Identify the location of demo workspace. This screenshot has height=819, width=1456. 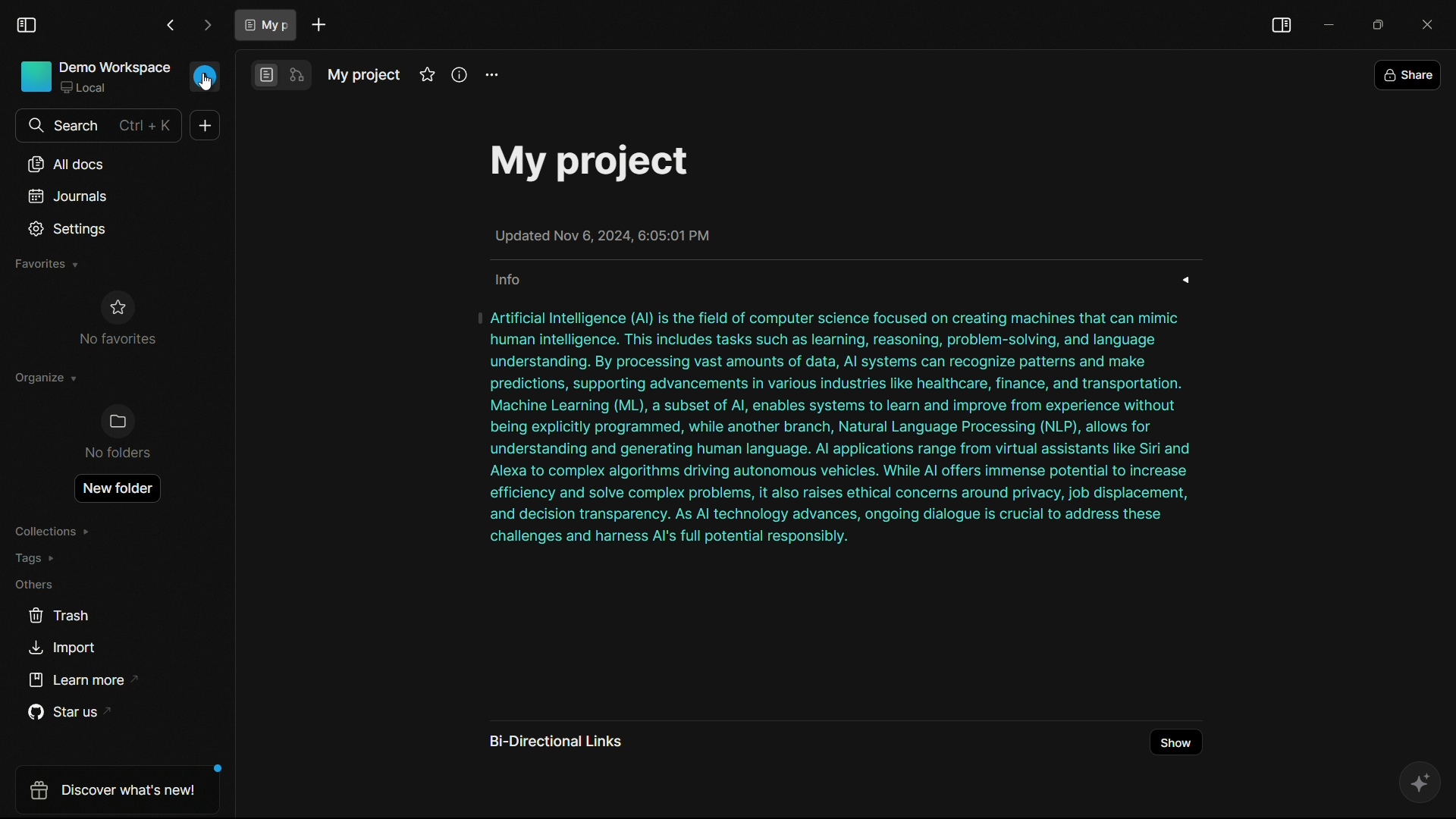
(96, 77).